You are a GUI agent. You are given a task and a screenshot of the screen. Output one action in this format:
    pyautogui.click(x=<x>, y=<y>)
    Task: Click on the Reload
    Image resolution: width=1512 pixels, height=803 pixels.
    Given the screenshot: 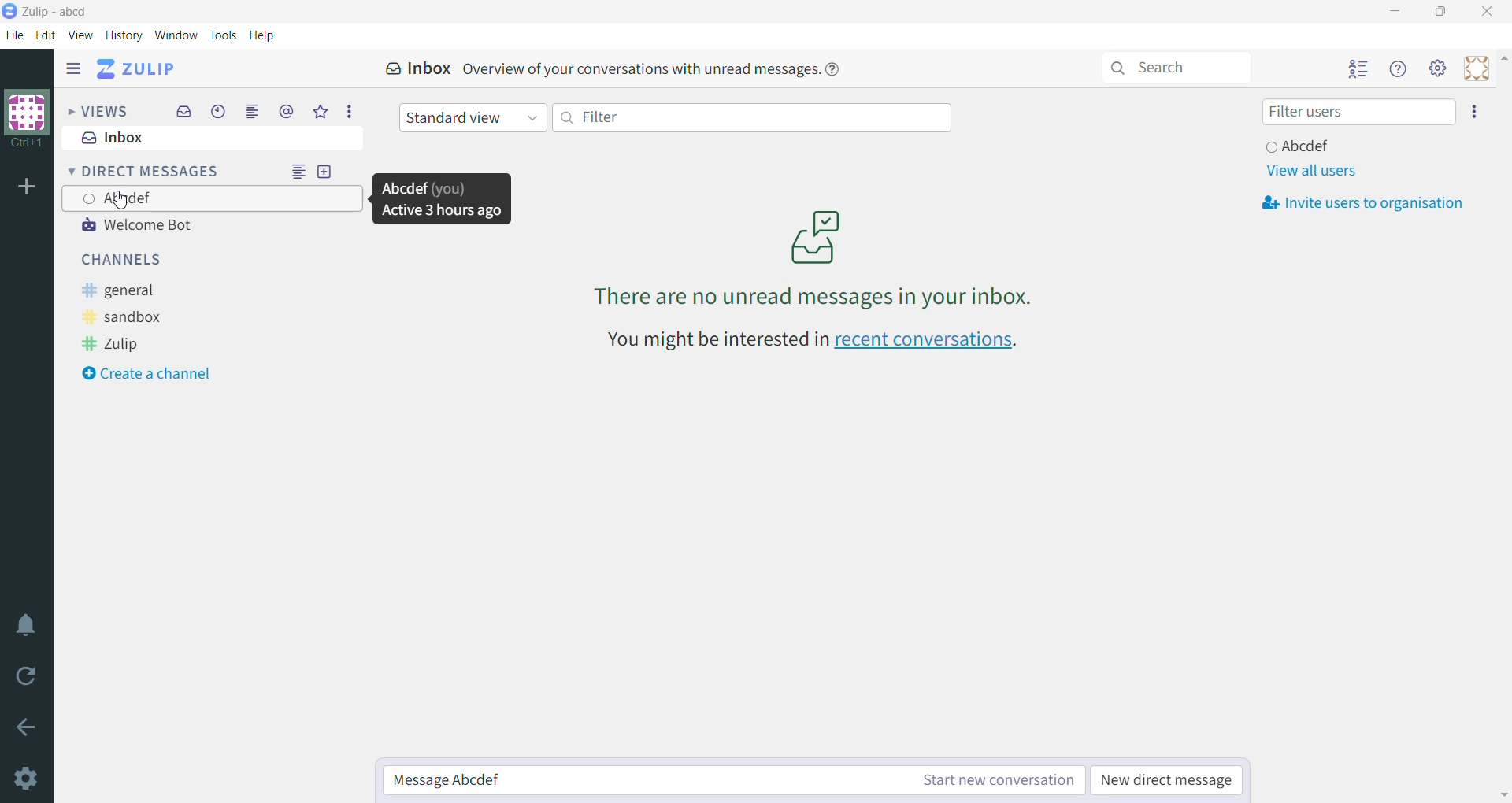 What is the action you would take?
    pyautogui.click(x=28, y=677)
    